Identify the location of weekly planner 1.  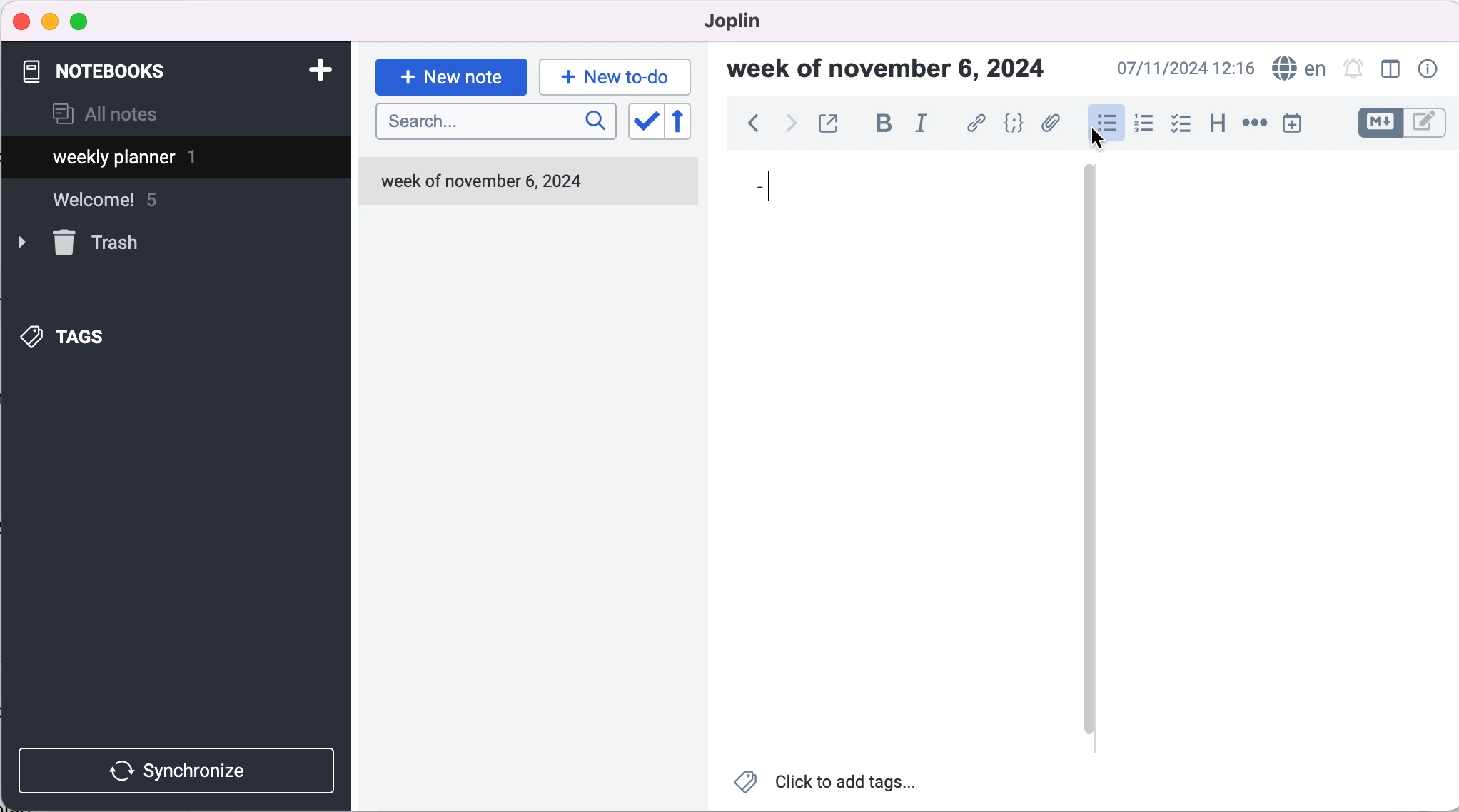
(164, 159).